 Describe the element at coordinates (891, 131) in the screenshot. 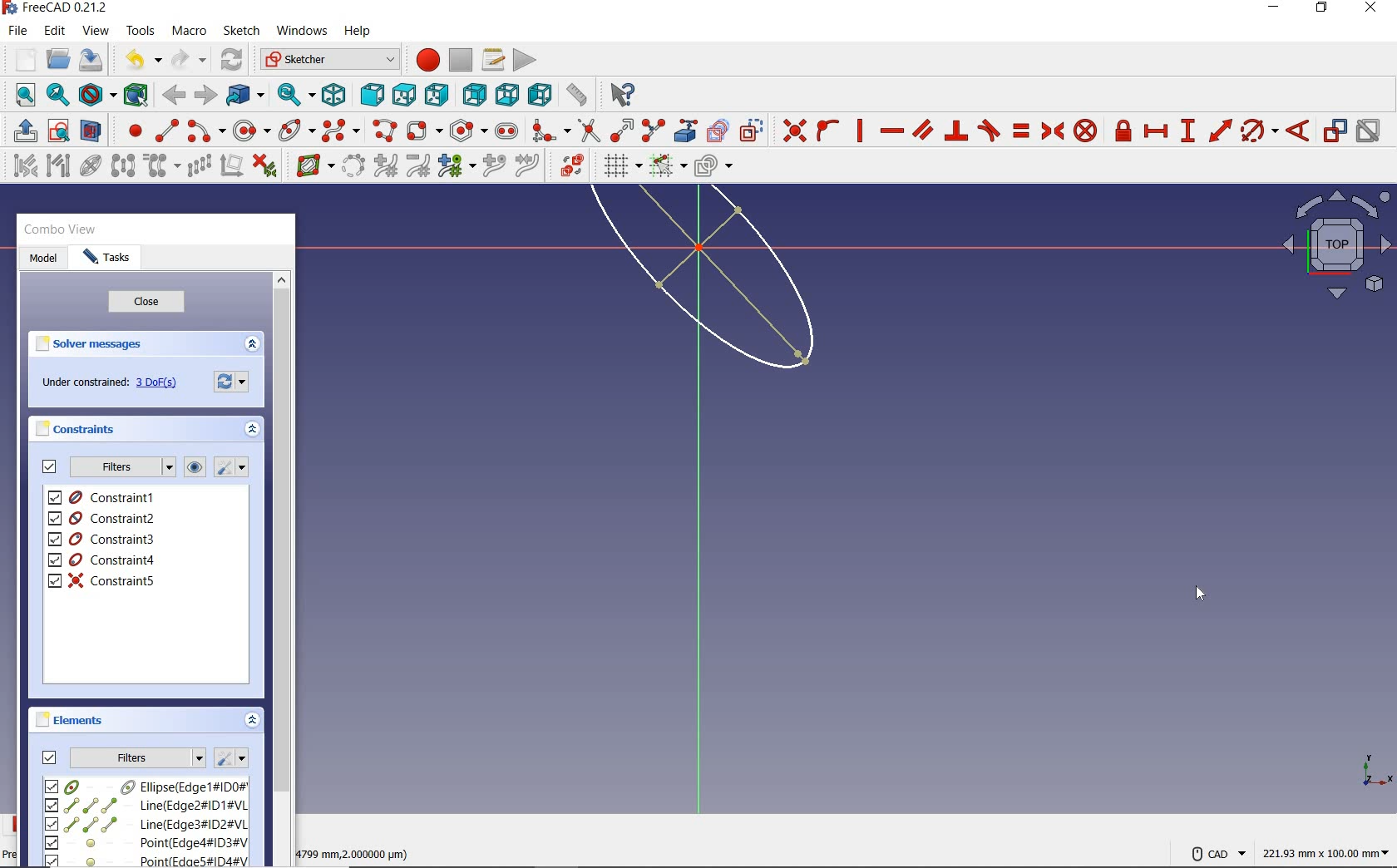

I see `constrain horizontally` at that location.